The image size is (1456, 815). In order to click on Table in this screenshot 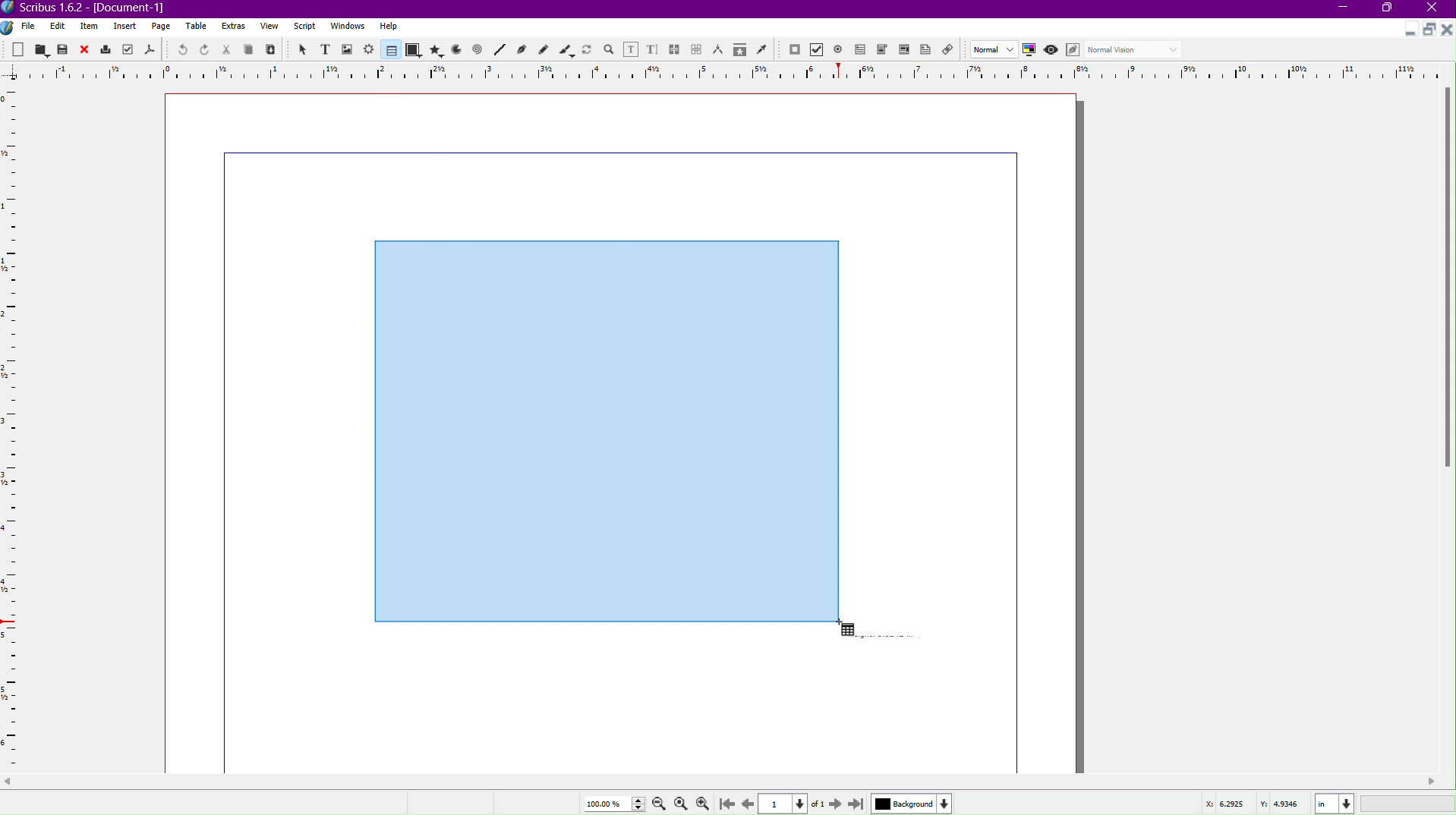, I will do `click(389, 50)`.